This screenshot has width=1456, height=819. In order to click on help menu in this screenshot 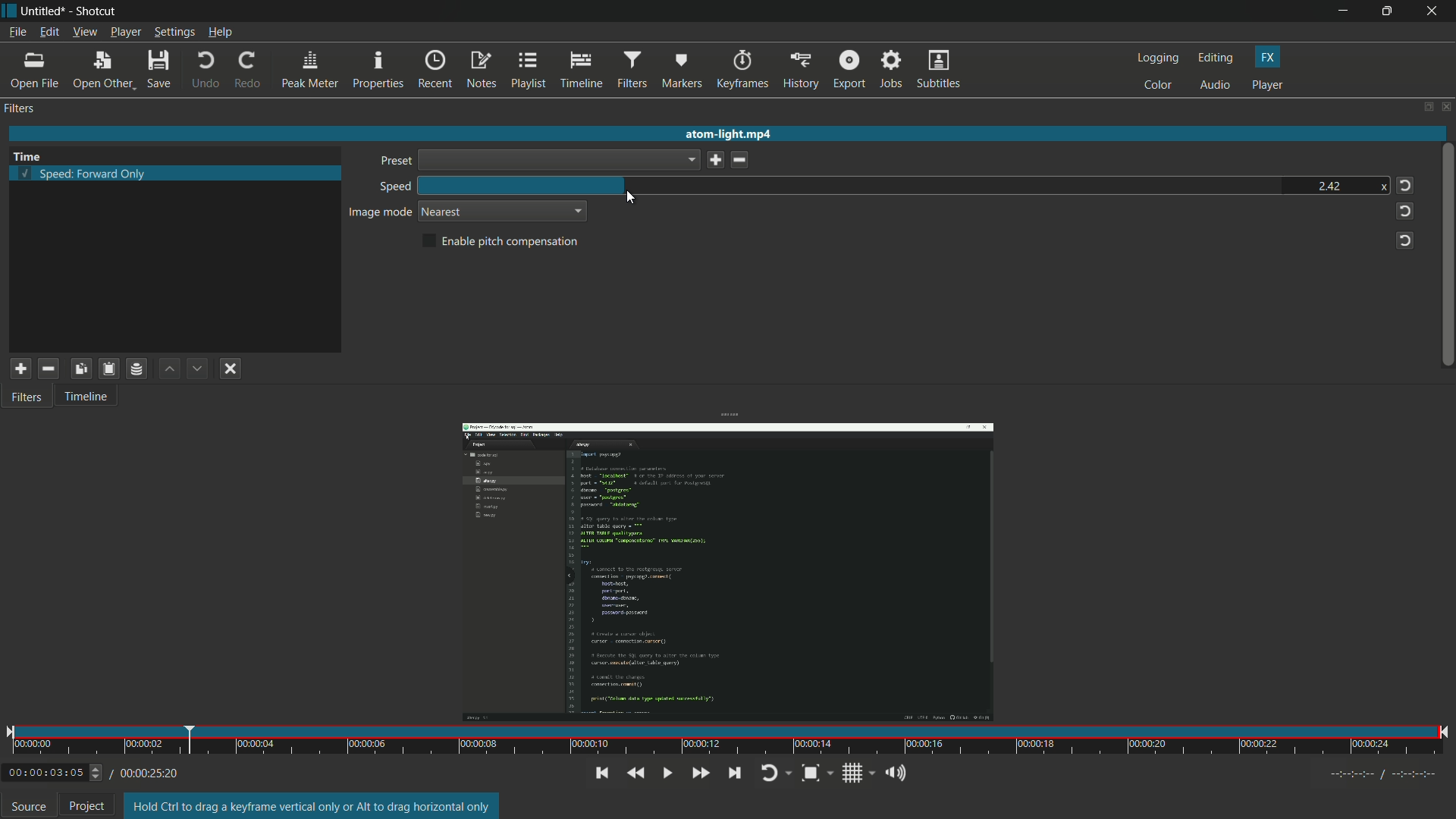, I will do `click(221, 33)`.